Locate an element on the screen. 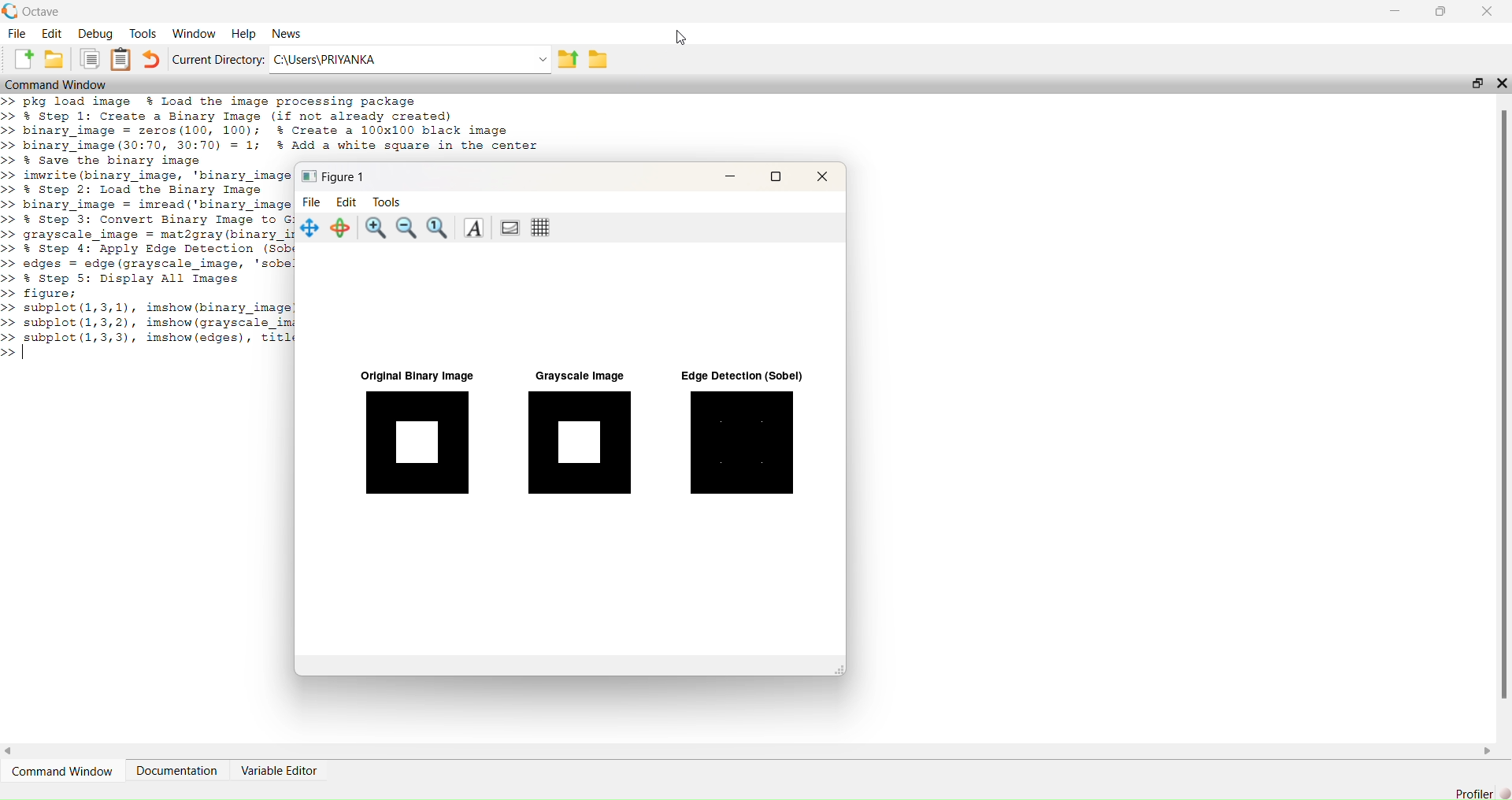 The width and height of the screenshot is (1512, 800). Debug is located at coordinates (96, 34).